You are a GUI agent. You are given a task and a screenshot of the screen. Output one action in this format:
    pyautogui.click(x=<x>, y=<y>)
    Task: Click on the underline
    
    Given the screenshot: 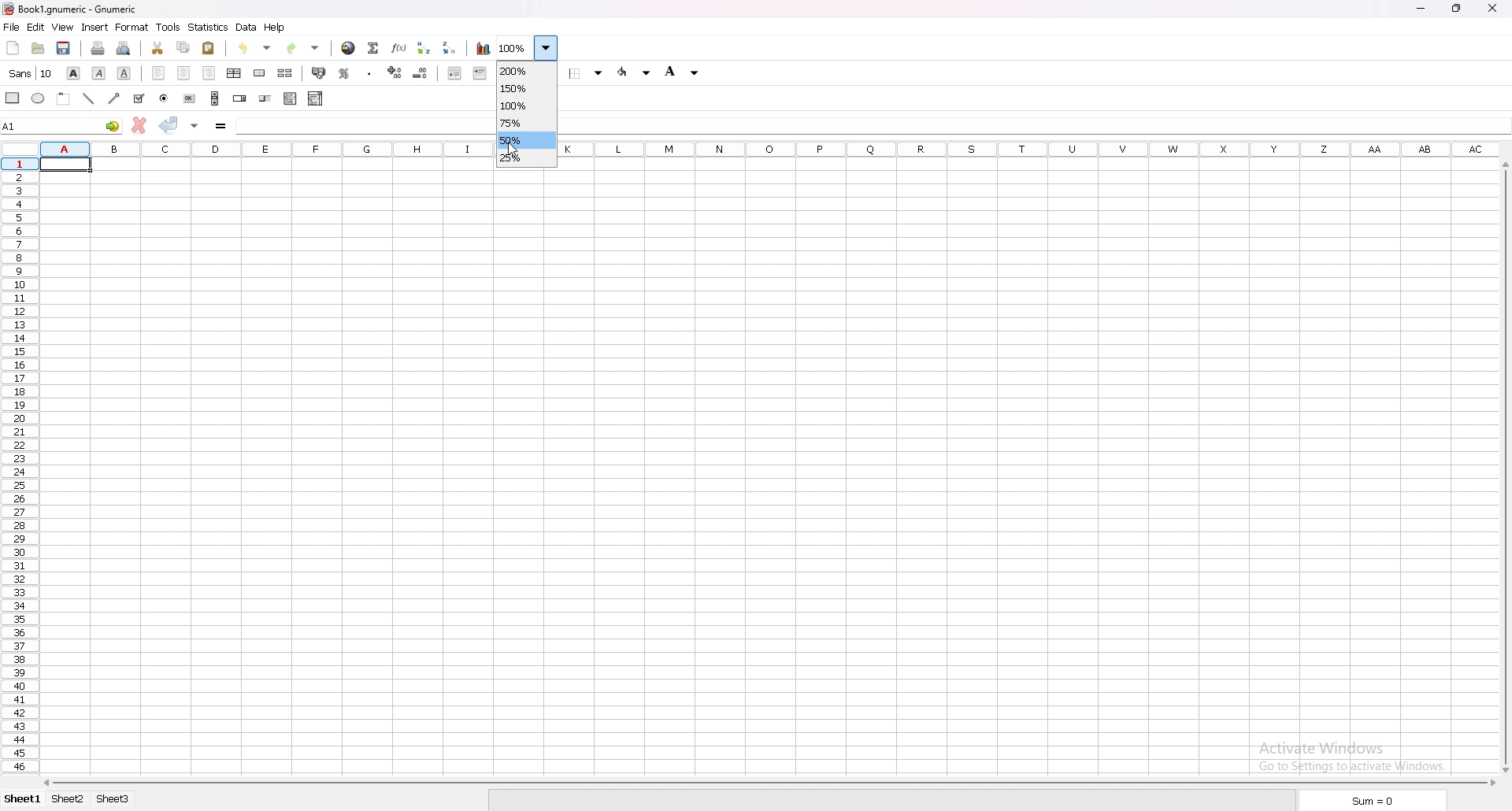 What is the action you would take?
    pyautogui.click(x=124, y=73)
    